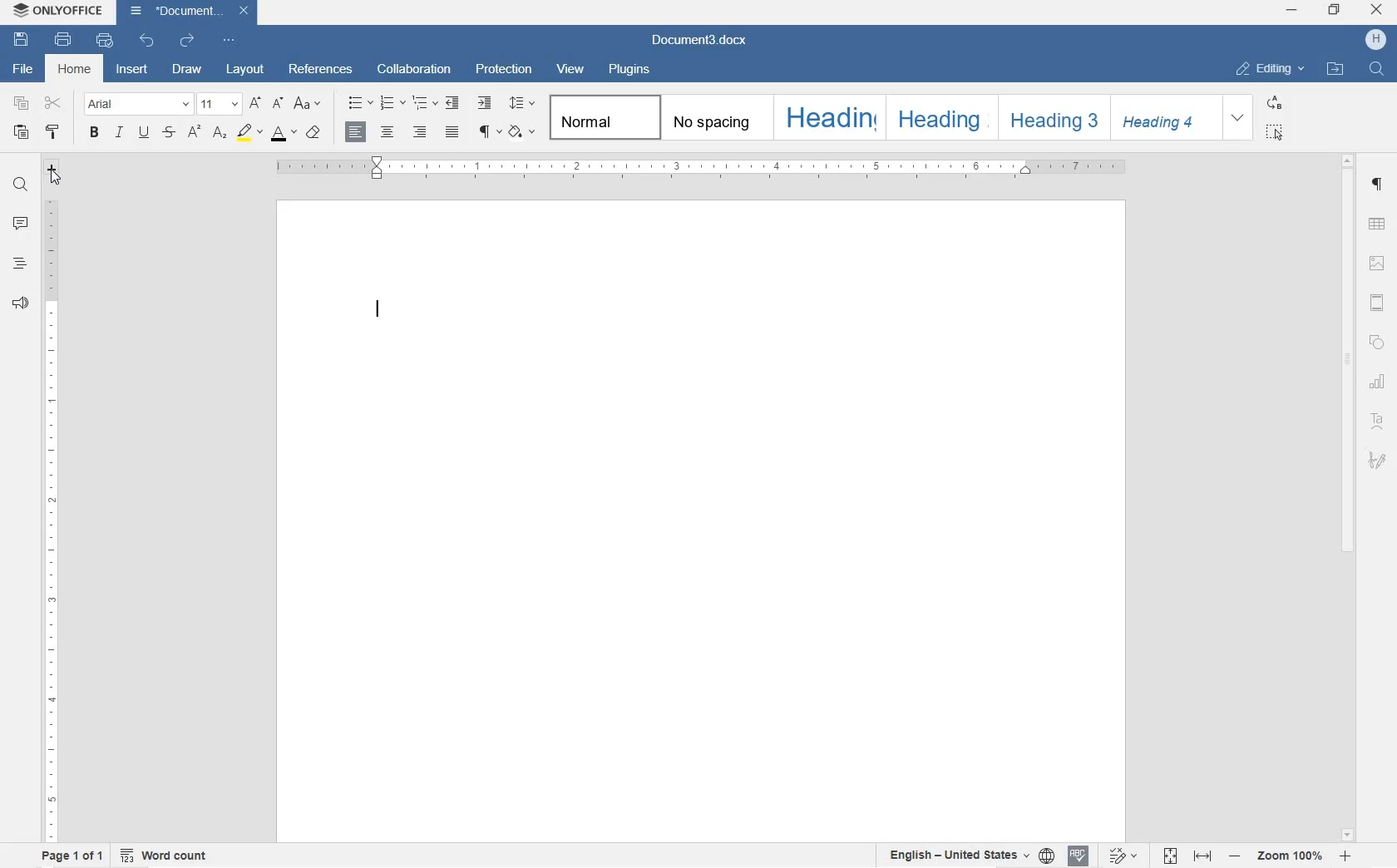  I want to click on SHADING, so click(522, 131).